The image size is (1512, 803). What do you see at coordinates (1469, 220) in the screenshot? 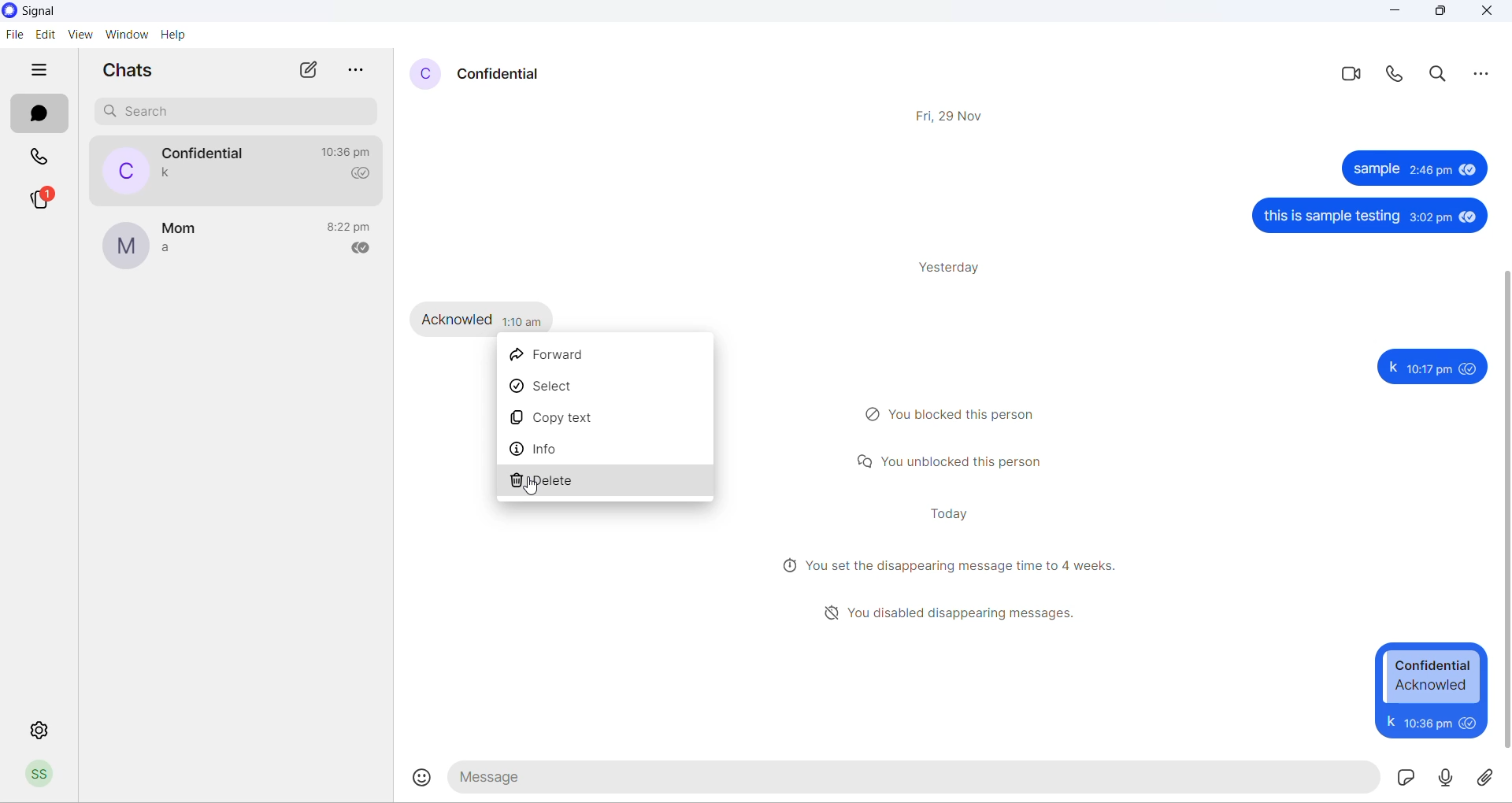
I see `seen` at bounding box center [1469, 220].